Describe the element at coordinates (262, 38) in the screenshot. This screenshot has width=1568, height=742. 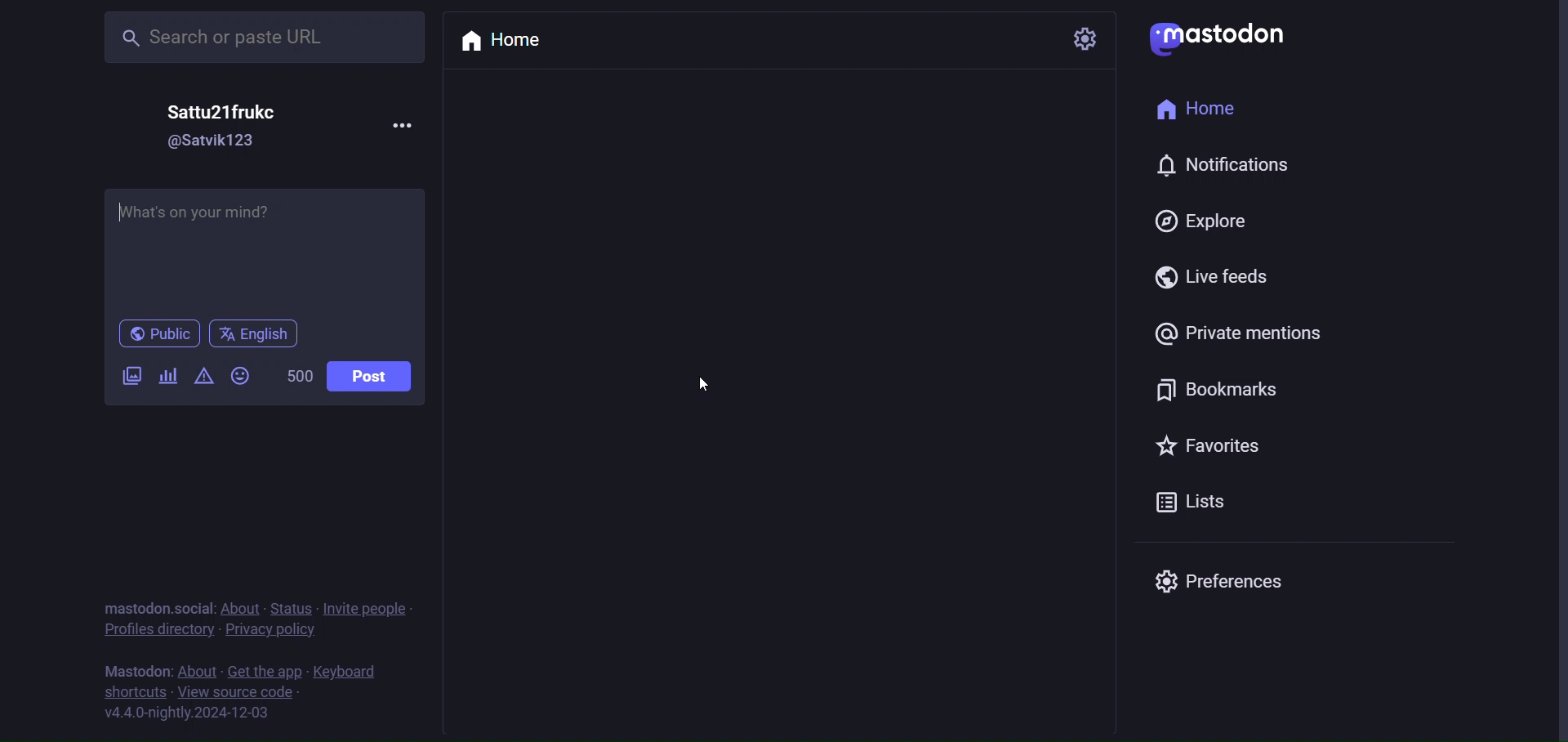
I see `search` at that location.